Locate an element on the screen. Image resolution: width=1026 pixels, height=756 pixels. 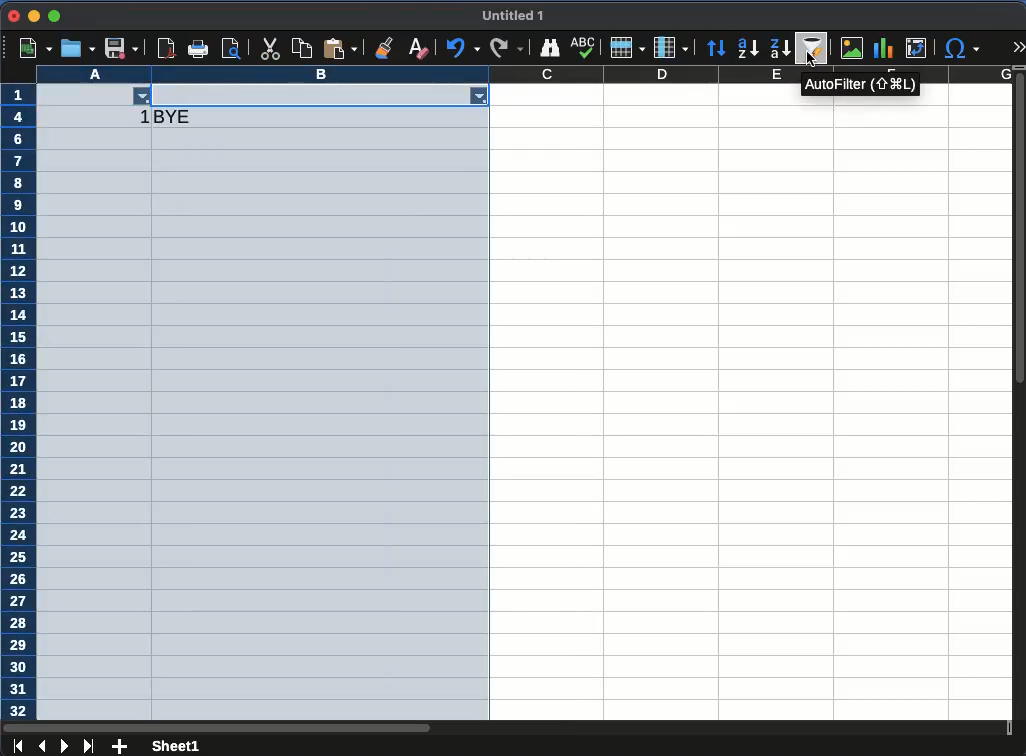
cursor is located at coordinates (812, 57).